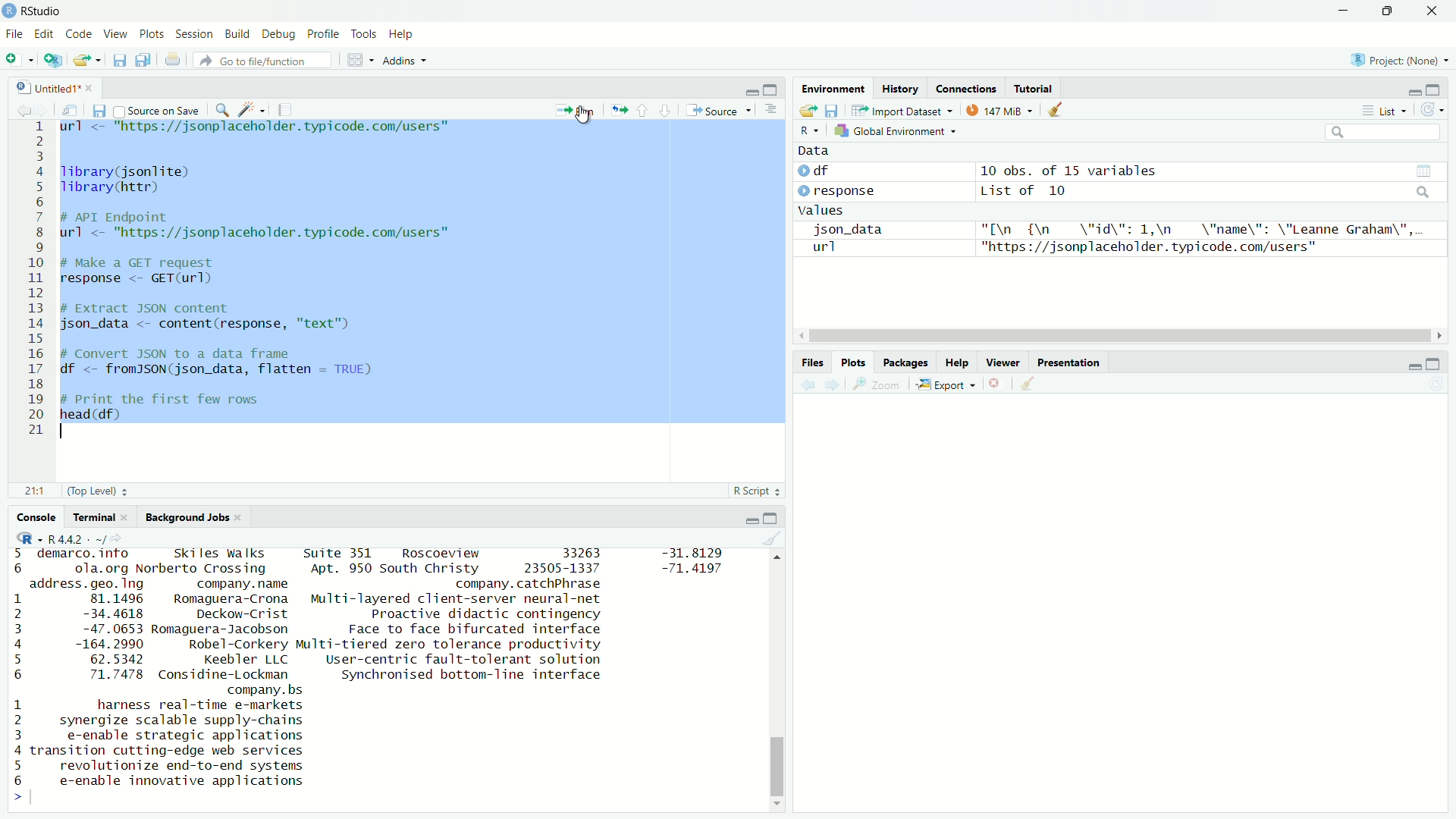 The height and width of the screenshot is (819, 1456). I want to click on values, so click(821, 210).